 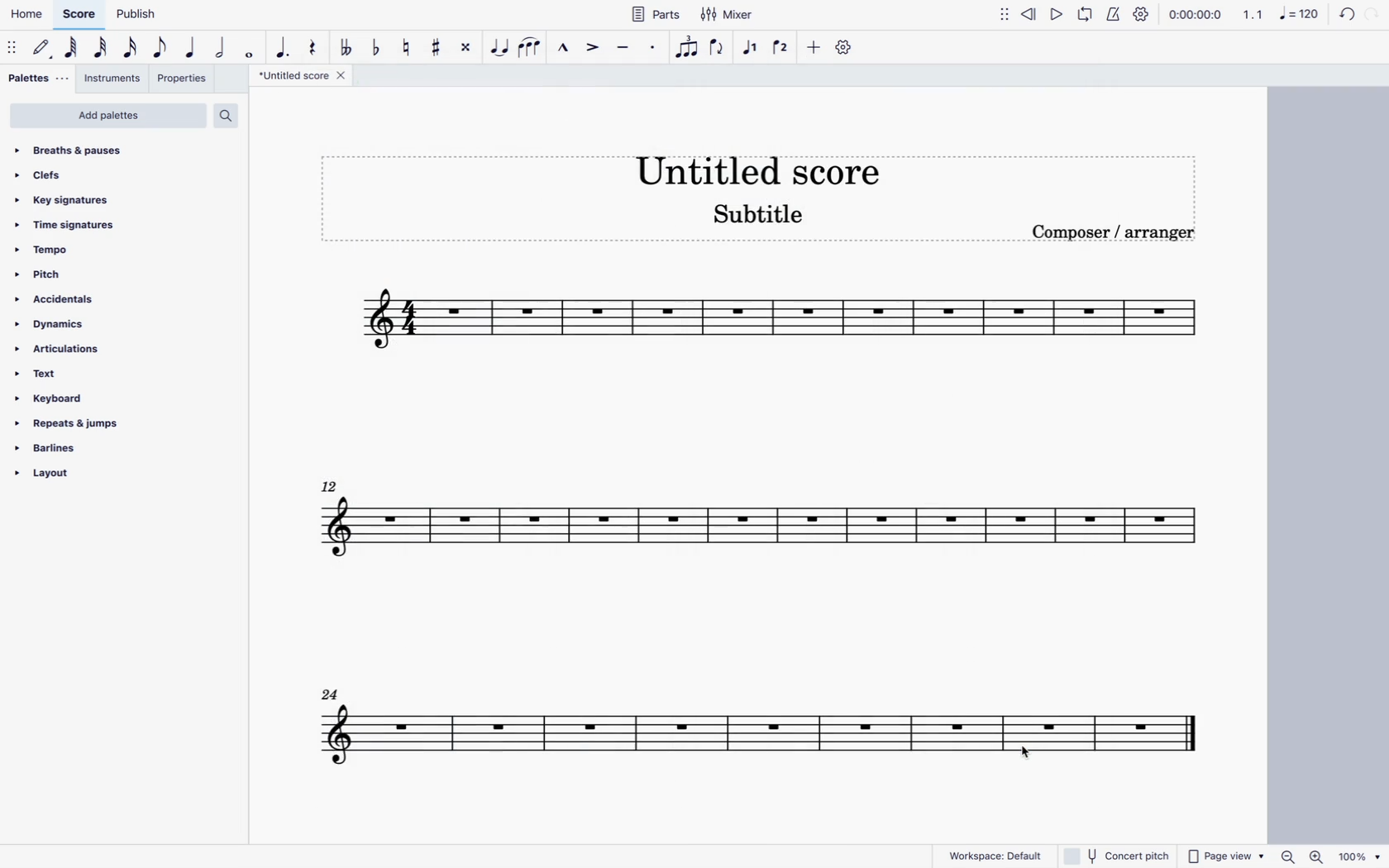 I want to click on quarter note, so click(x=194, y=51).